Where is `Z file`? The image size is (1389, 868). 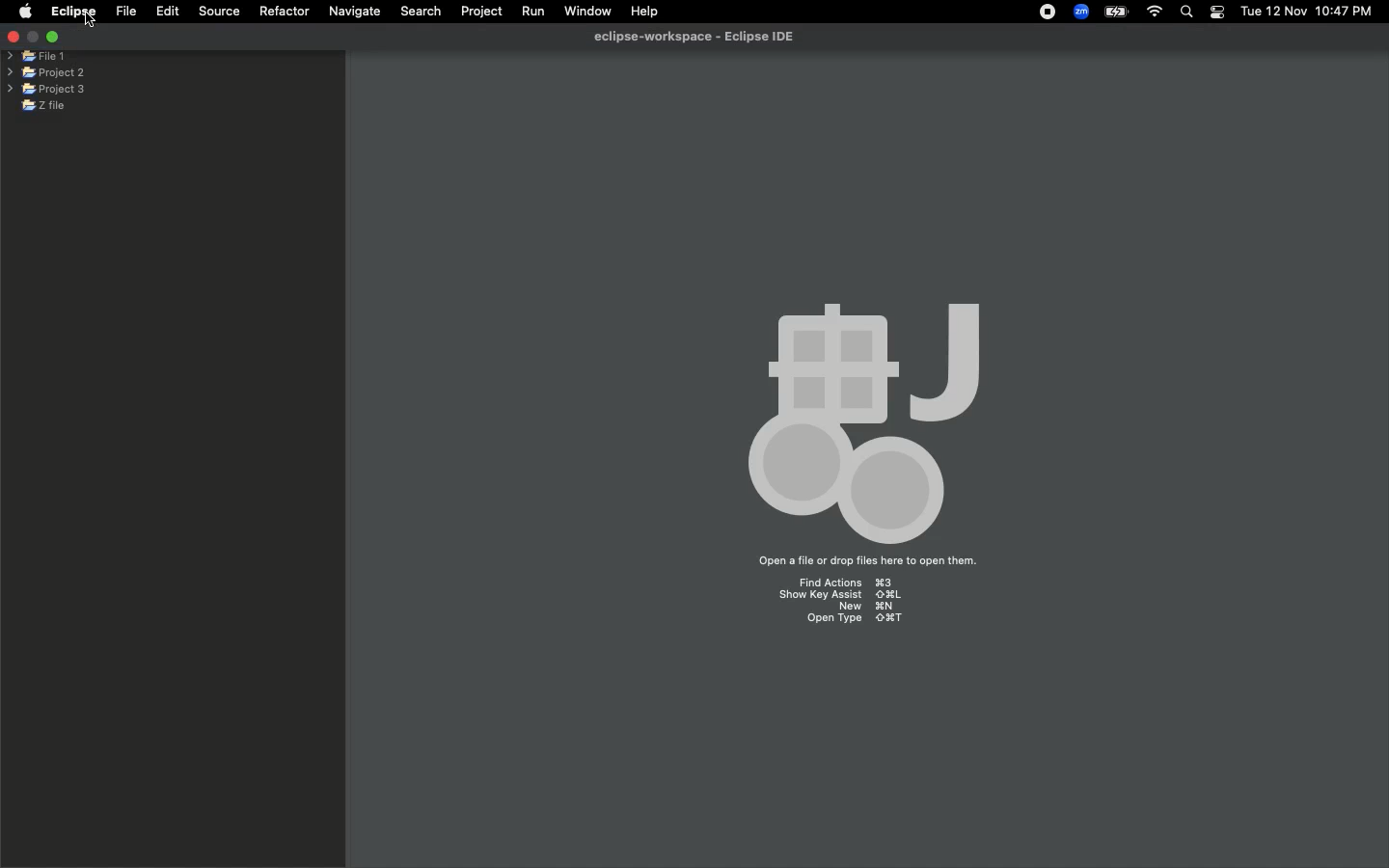 Z file is located at coordinates (56, 105).